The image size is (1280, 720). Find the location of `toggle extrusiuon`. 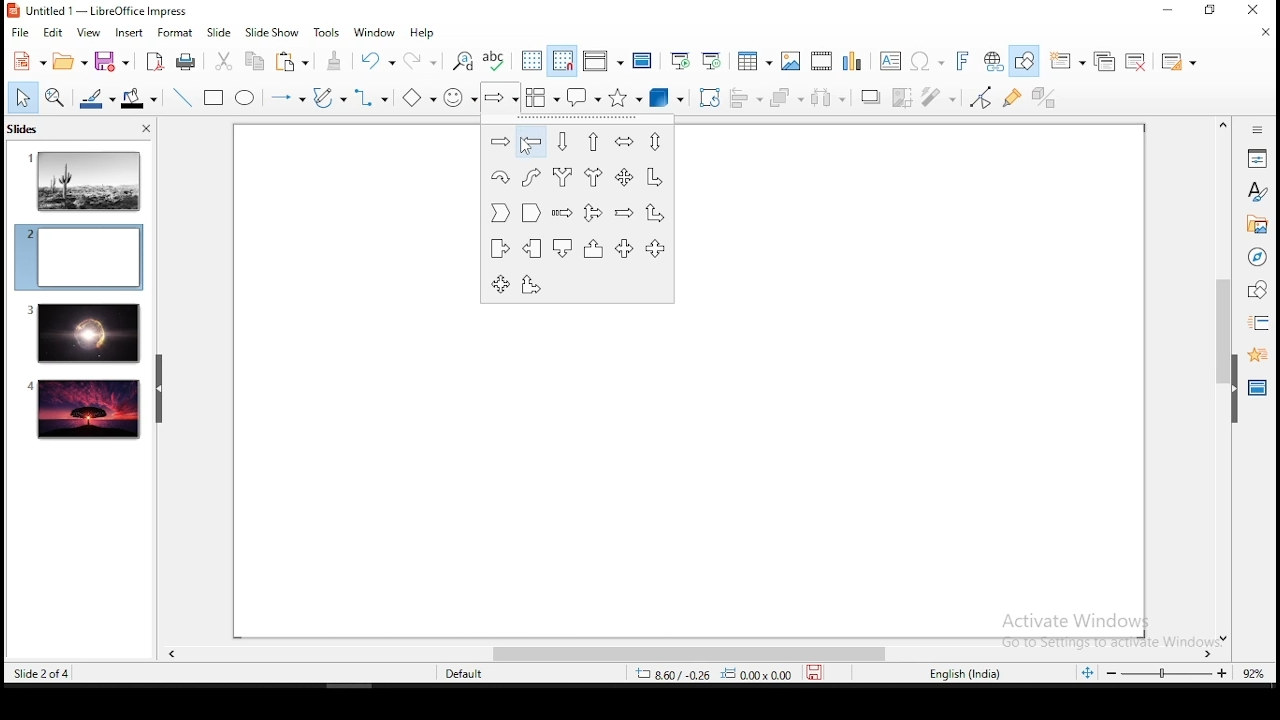

toggle extrusiuon is located at coordinates (1046, 97).